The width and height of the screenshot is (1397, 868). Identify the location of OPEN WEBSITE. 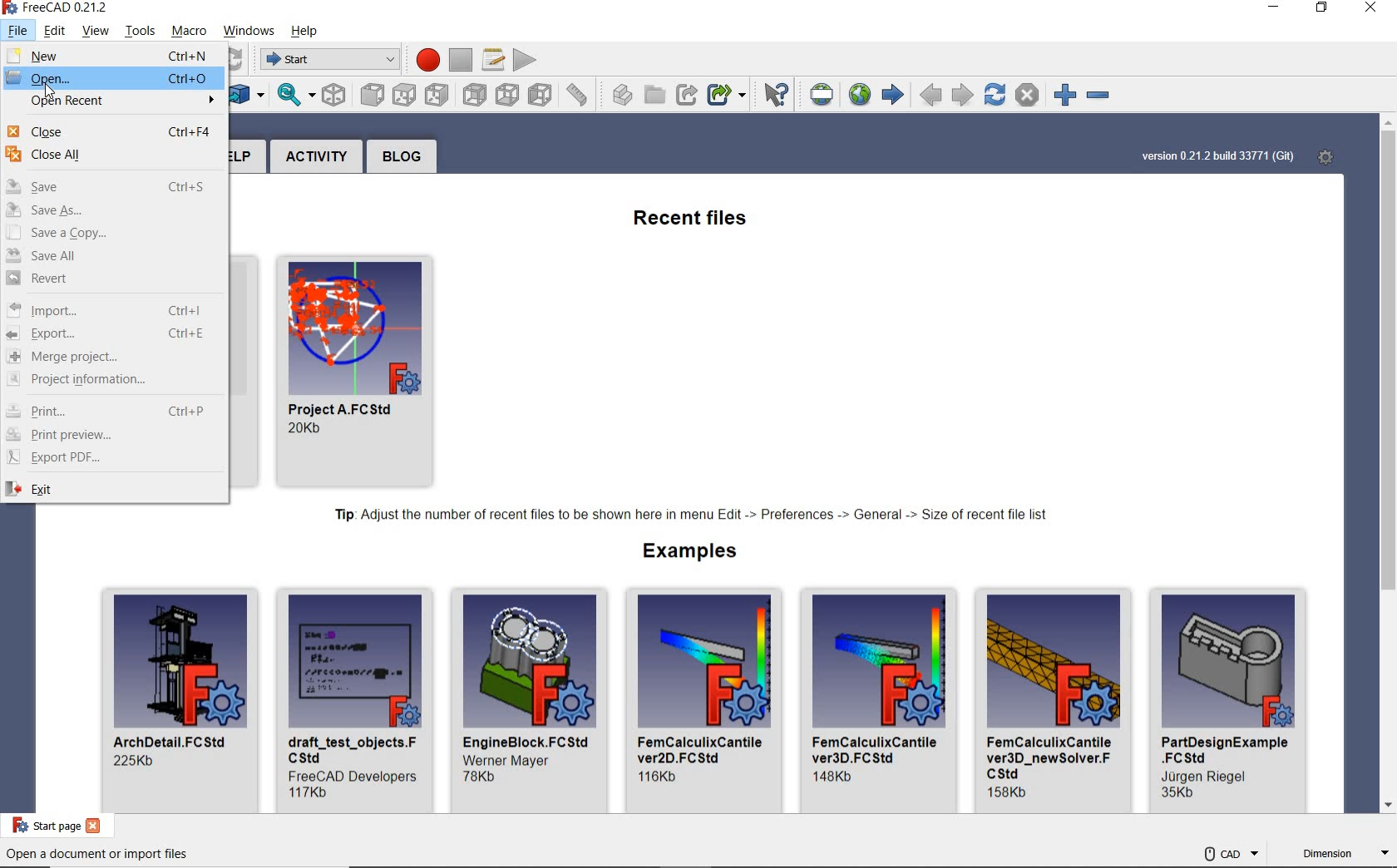
(857, 94).